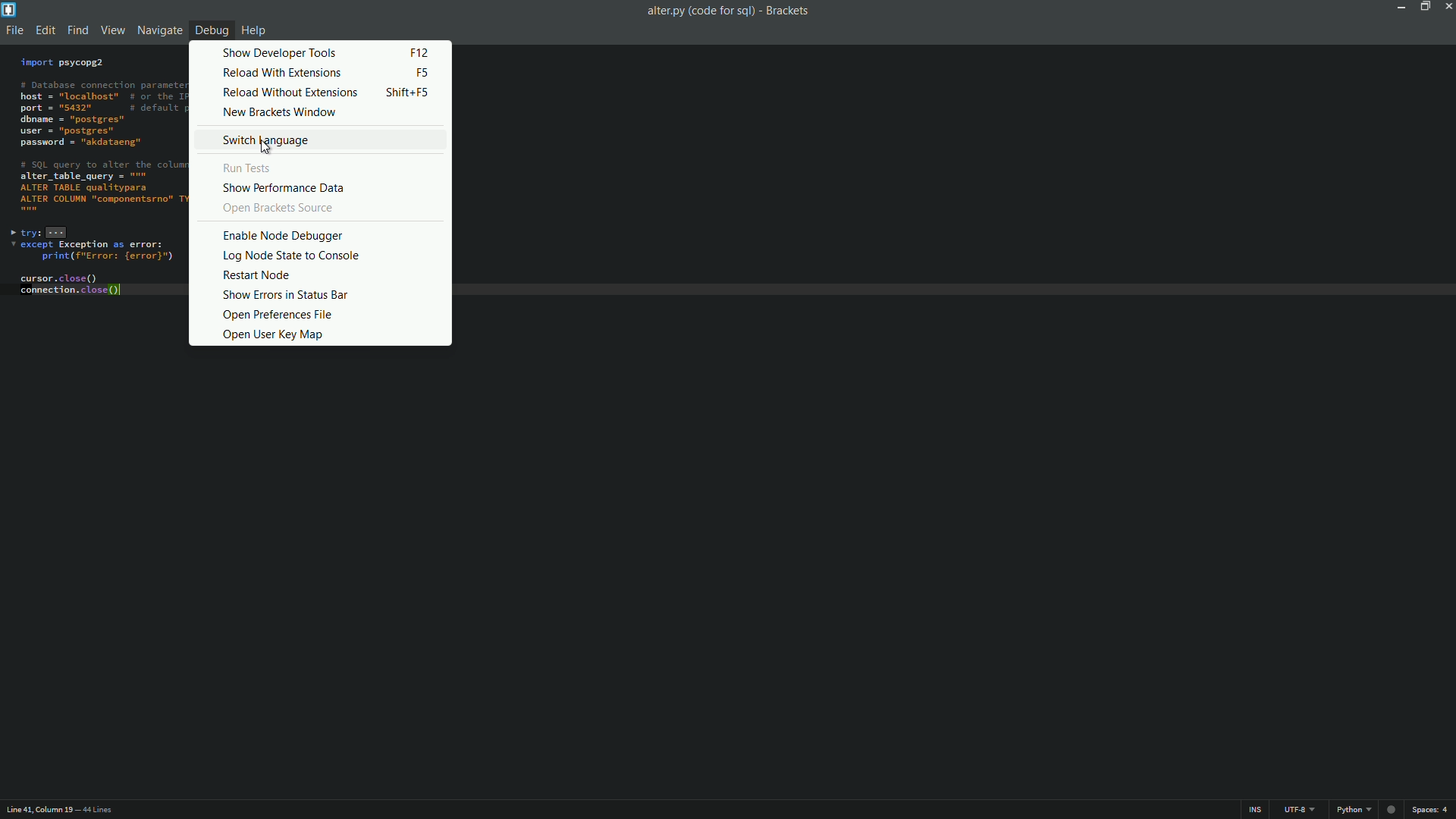 The image size is (1456, 819). What do you see at coordinates (286, 187) in the screenshot?
I see `Show performance data` at bounding box center [286, 187].